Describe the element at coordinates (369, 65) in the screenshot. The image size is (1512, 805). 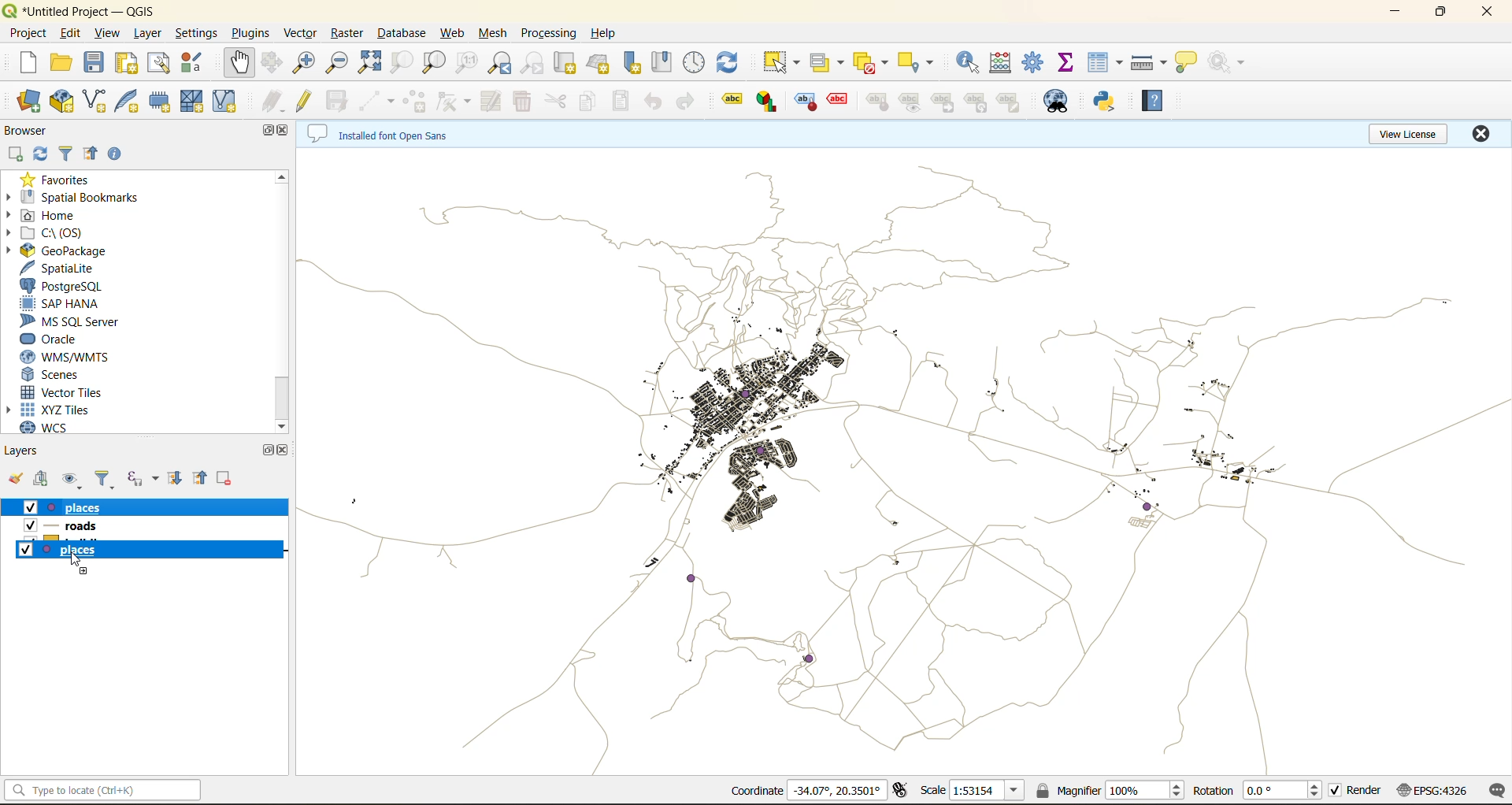
I see `zoom full` at that location.